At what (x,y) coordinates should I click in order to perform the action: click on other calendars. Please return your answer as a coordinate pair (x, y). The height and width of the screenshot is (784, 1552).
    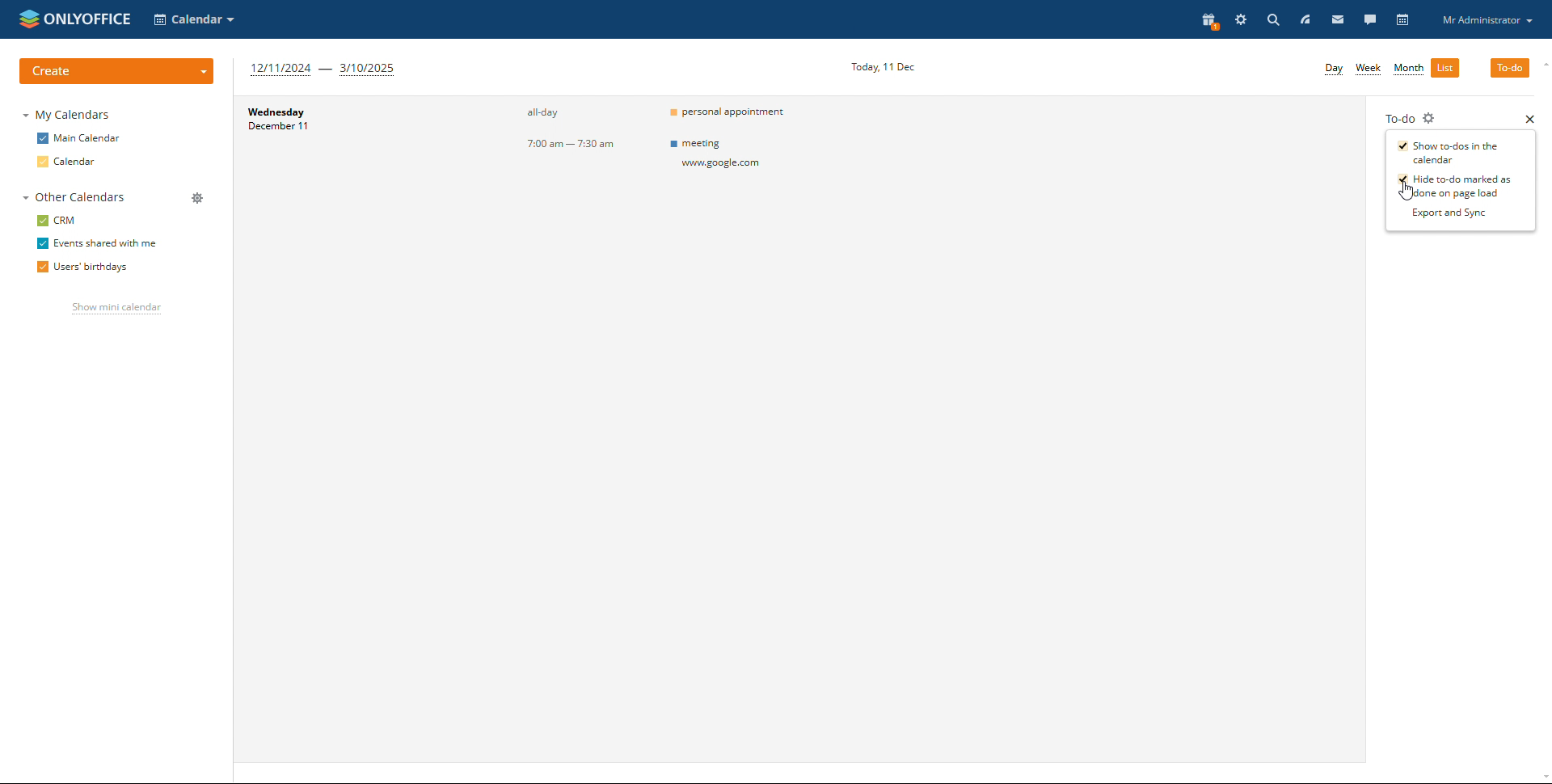
    Looking at the image, I should click on (70, 198).